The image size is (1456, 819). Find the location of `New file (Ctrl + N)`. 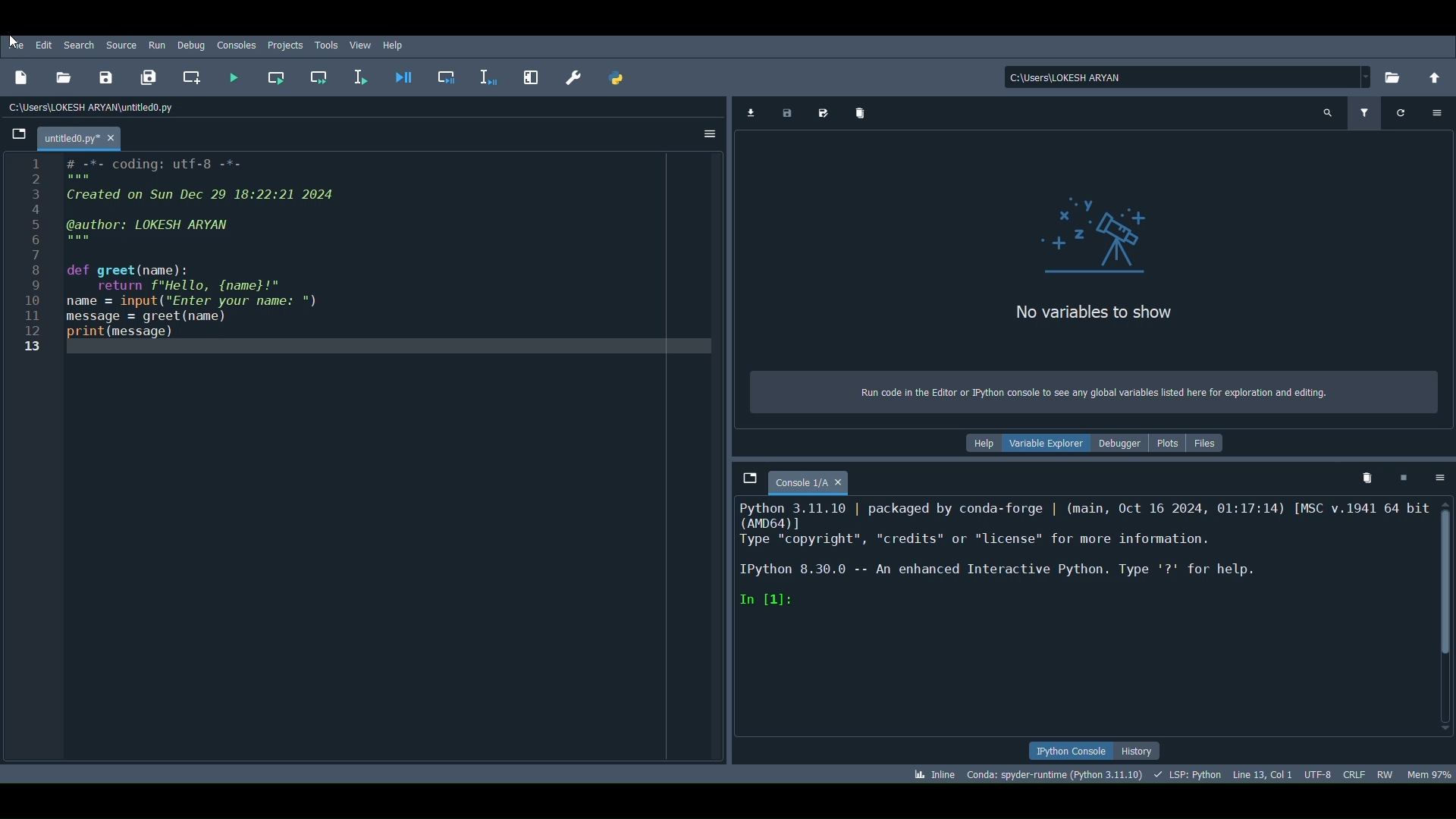

New file (Ctrl + N) is located at coordinates (21, 77).